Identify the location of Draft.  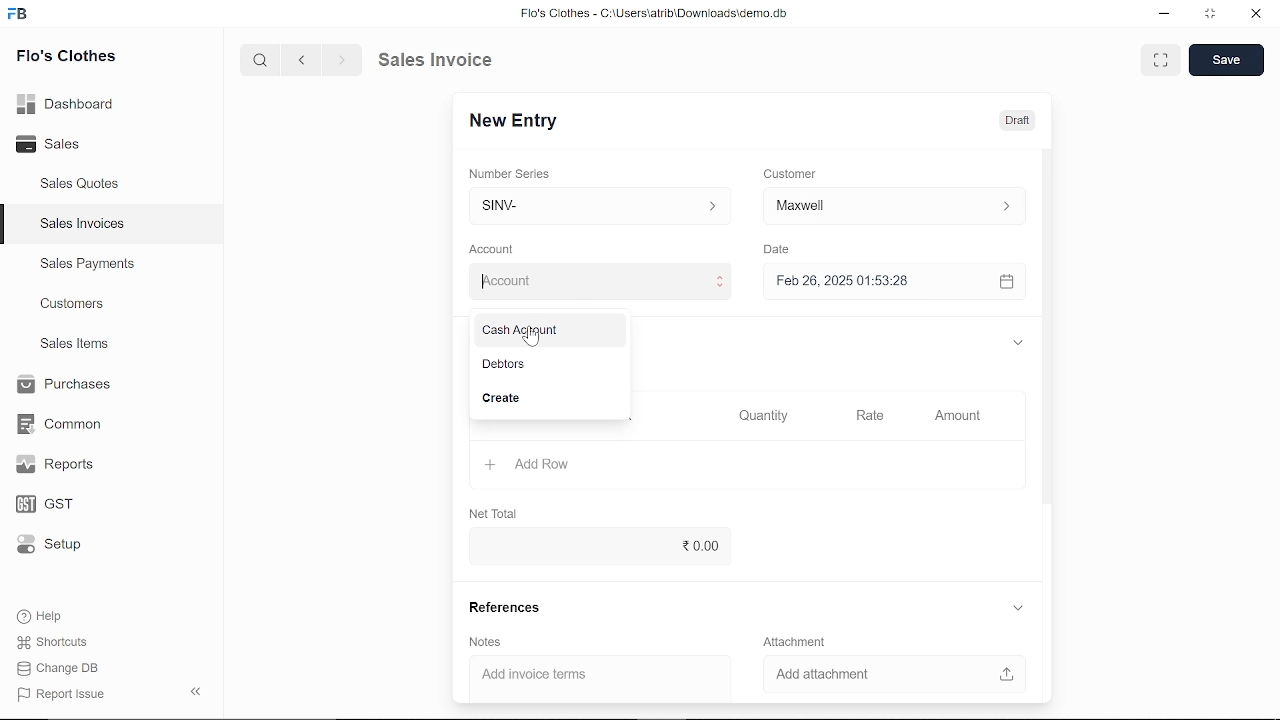
(1006, 119).